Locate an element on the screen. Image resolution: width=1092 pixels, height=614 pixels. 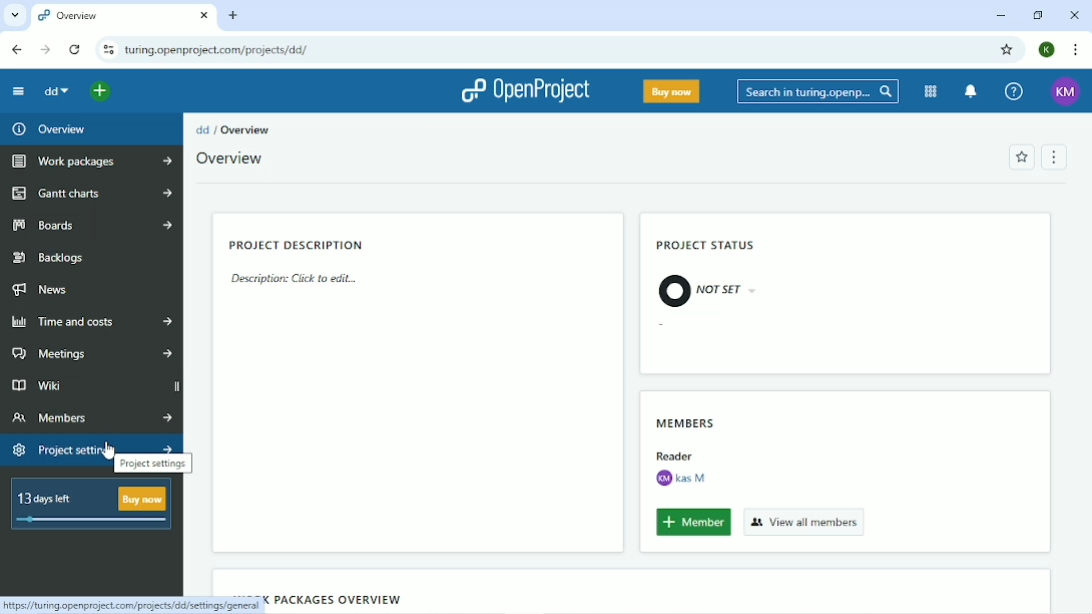
Menu is located at coordinates (1053, 158).